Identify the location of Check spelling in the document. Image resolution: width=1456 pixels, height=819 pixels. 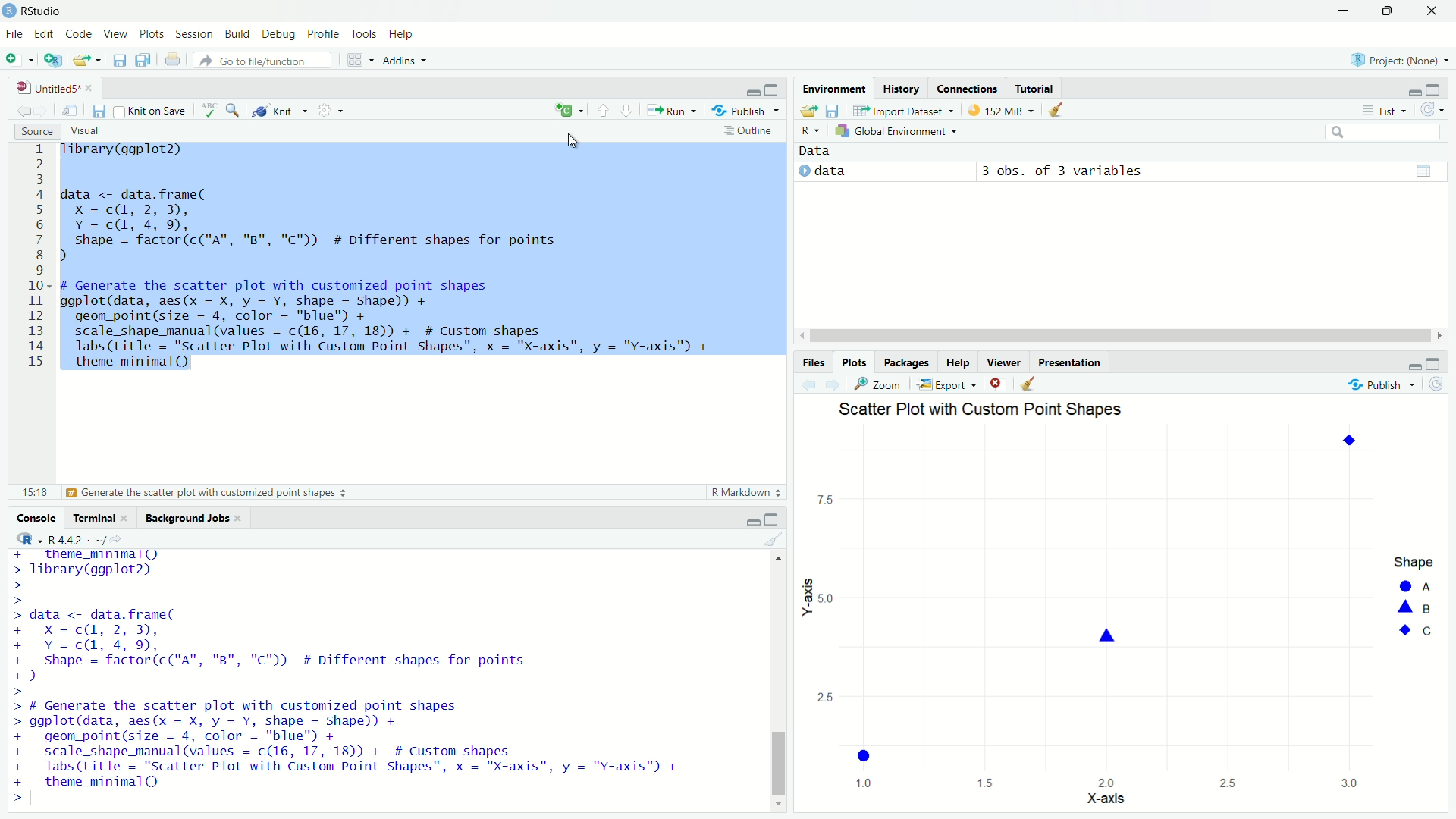
(209, 109).